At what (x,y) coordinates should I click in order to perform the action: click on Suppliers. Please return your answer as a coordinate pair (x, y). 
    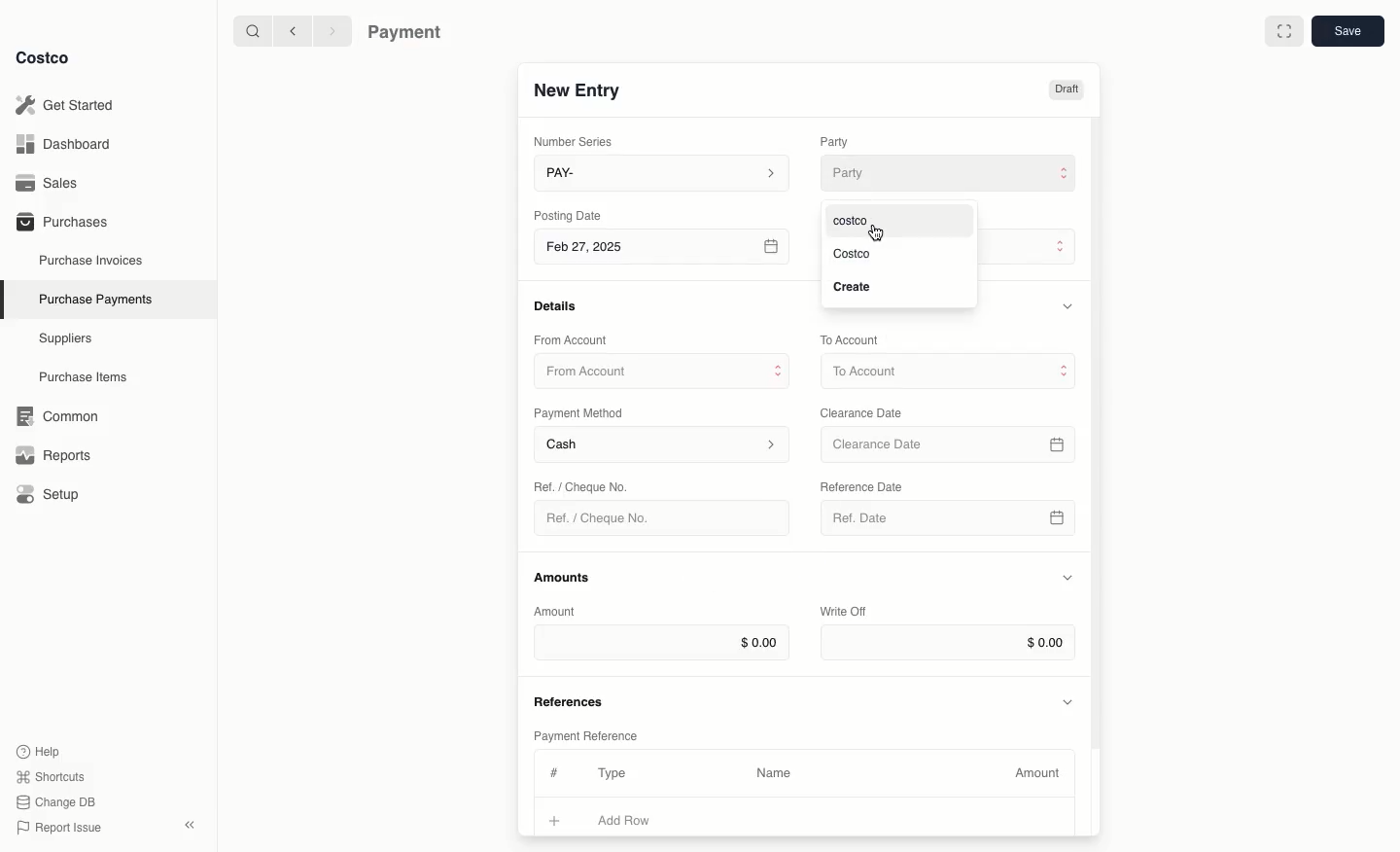
    Looking at the image, I should click on (66, 337).